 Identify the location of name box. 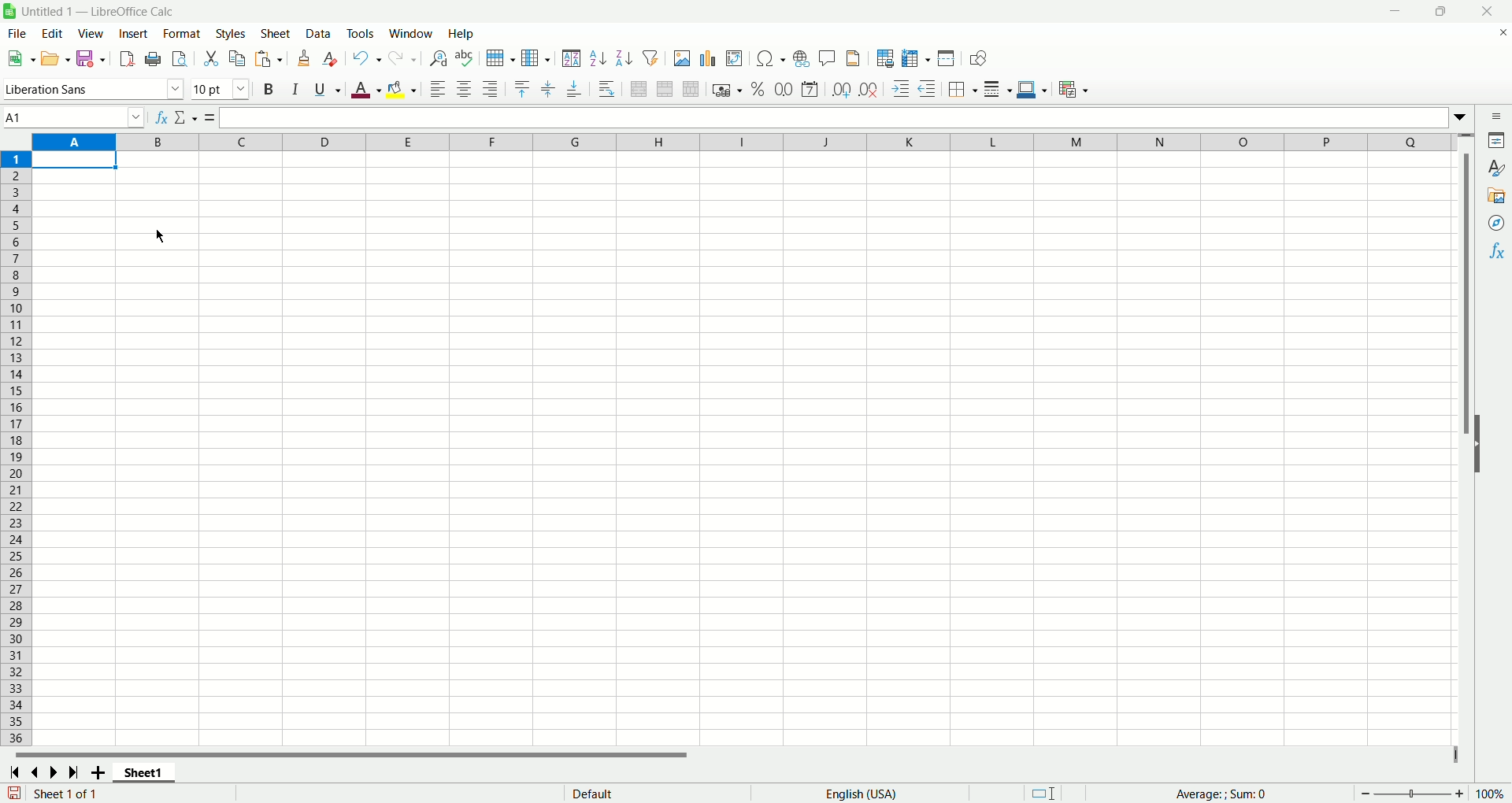
(76, 115).